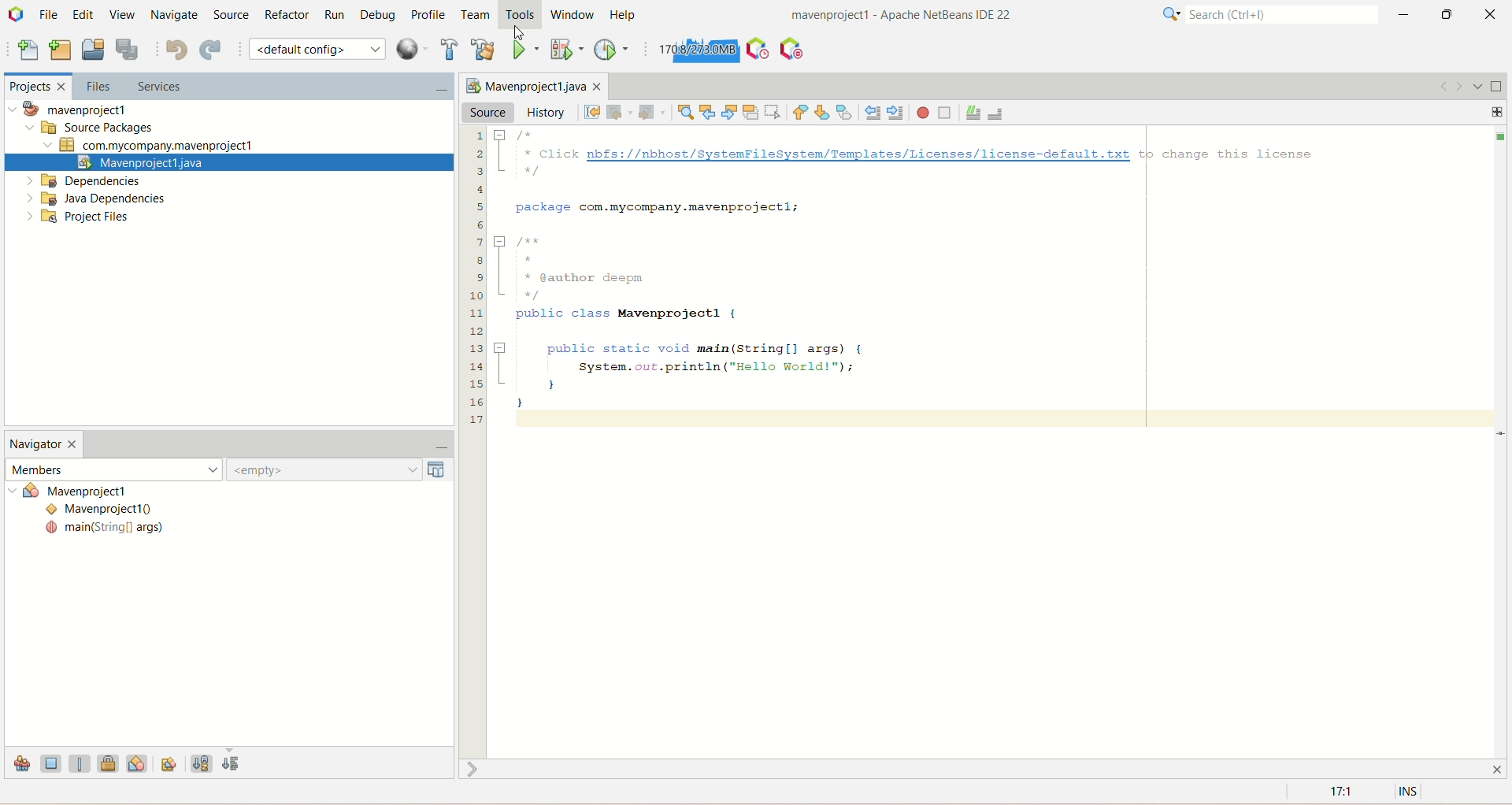  I want to click on history, so click(547, 112).